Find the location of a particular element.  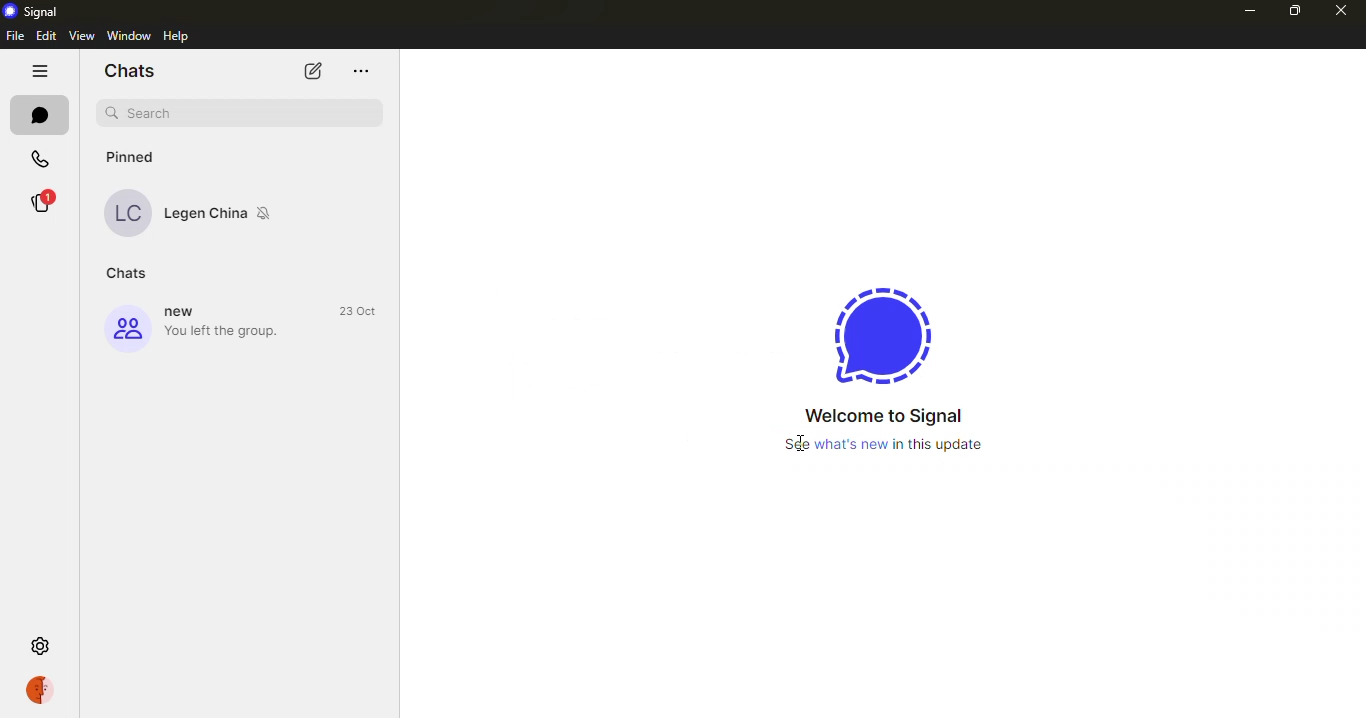

cursor is located at coordinates (799, 446).